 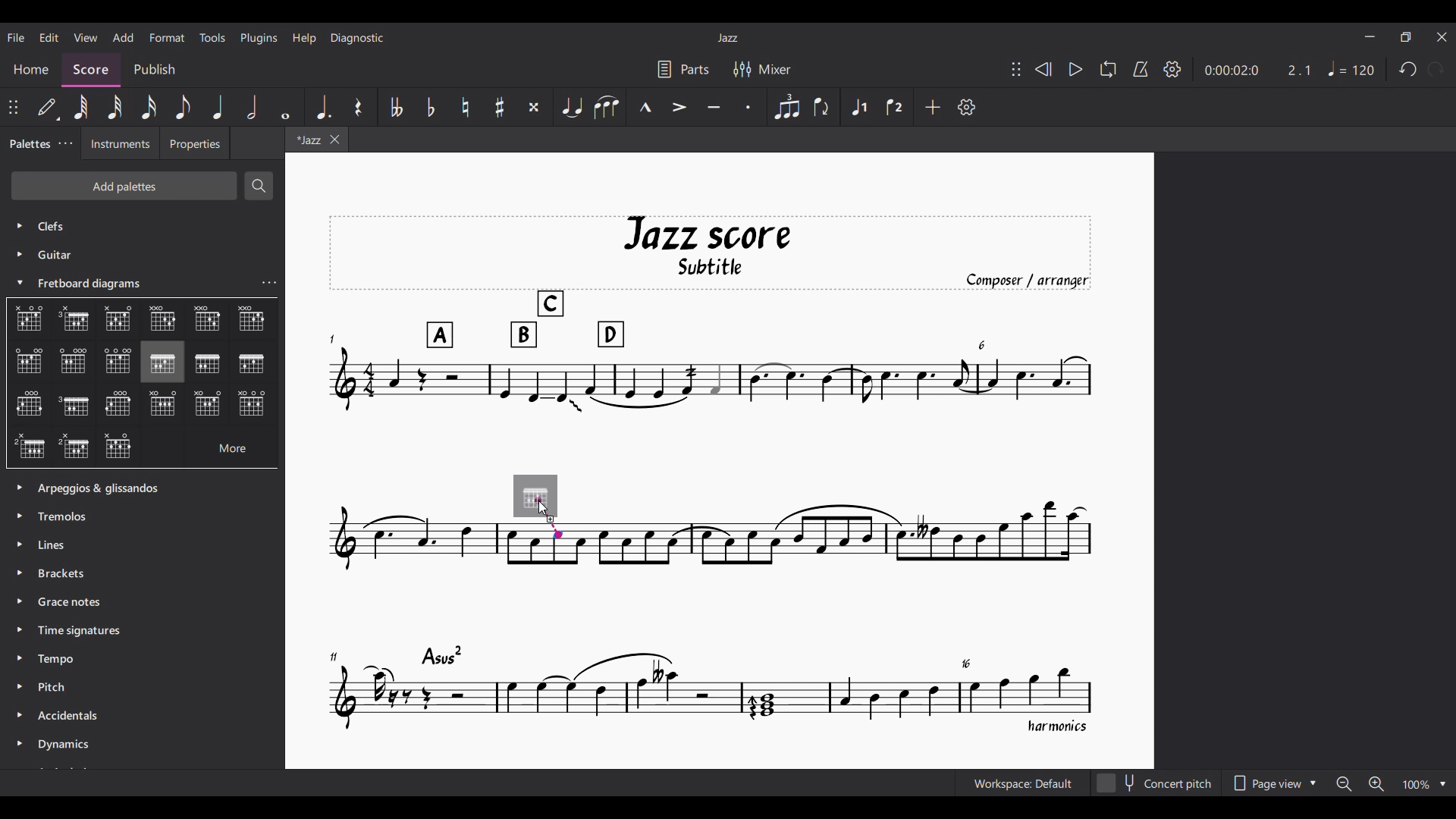 What do you see at coordinates (64, 689) in the screenshot?
I see `Pitch` at bounding box center [64, 689].